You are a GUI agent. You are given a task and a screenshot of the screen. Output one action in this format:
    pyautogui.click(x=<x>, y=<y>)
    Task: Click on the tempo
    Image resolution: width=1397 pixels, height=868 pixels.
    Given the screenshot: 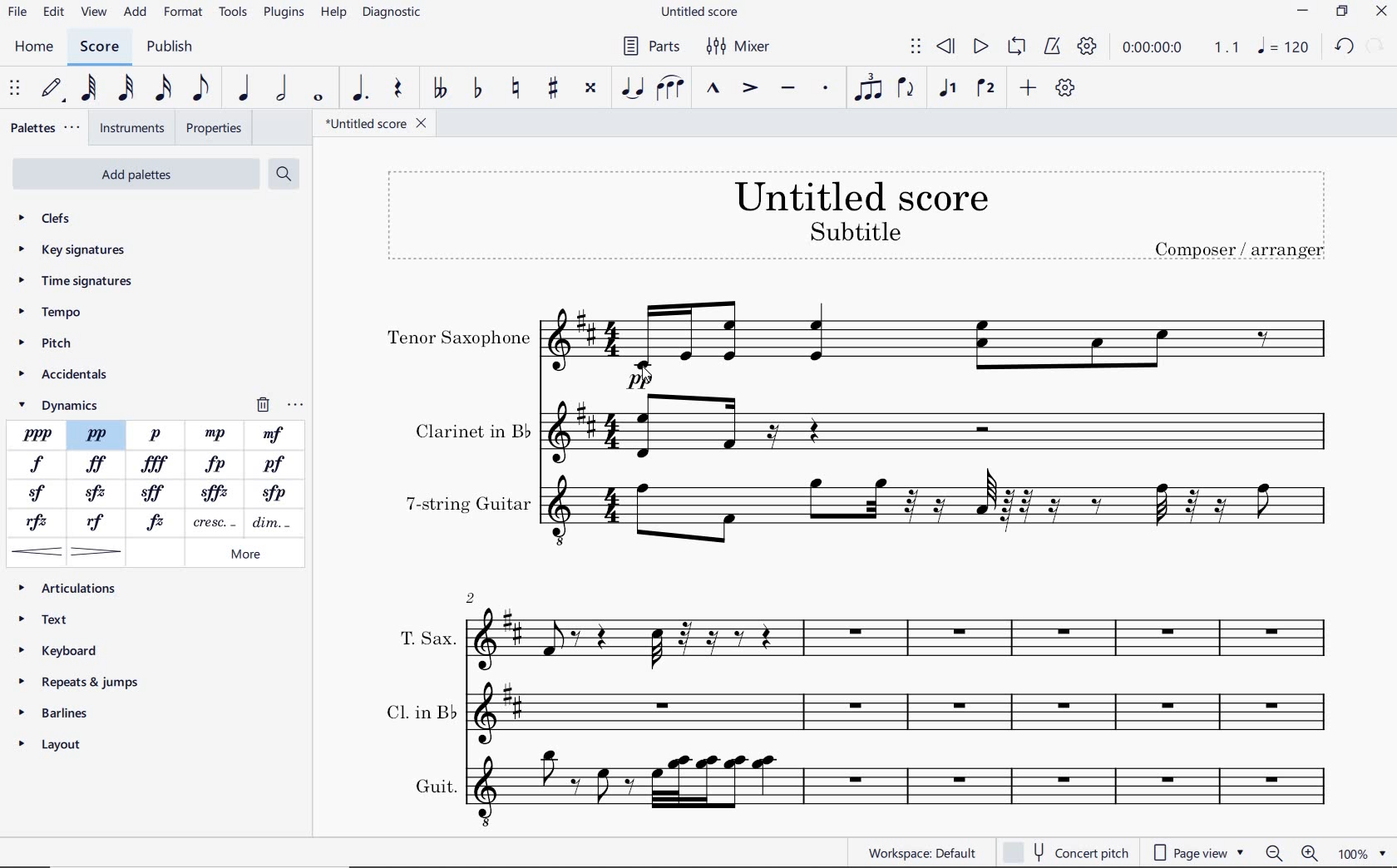 What is the action you would take?
    pyautogui.click(x=53, y=310)
    